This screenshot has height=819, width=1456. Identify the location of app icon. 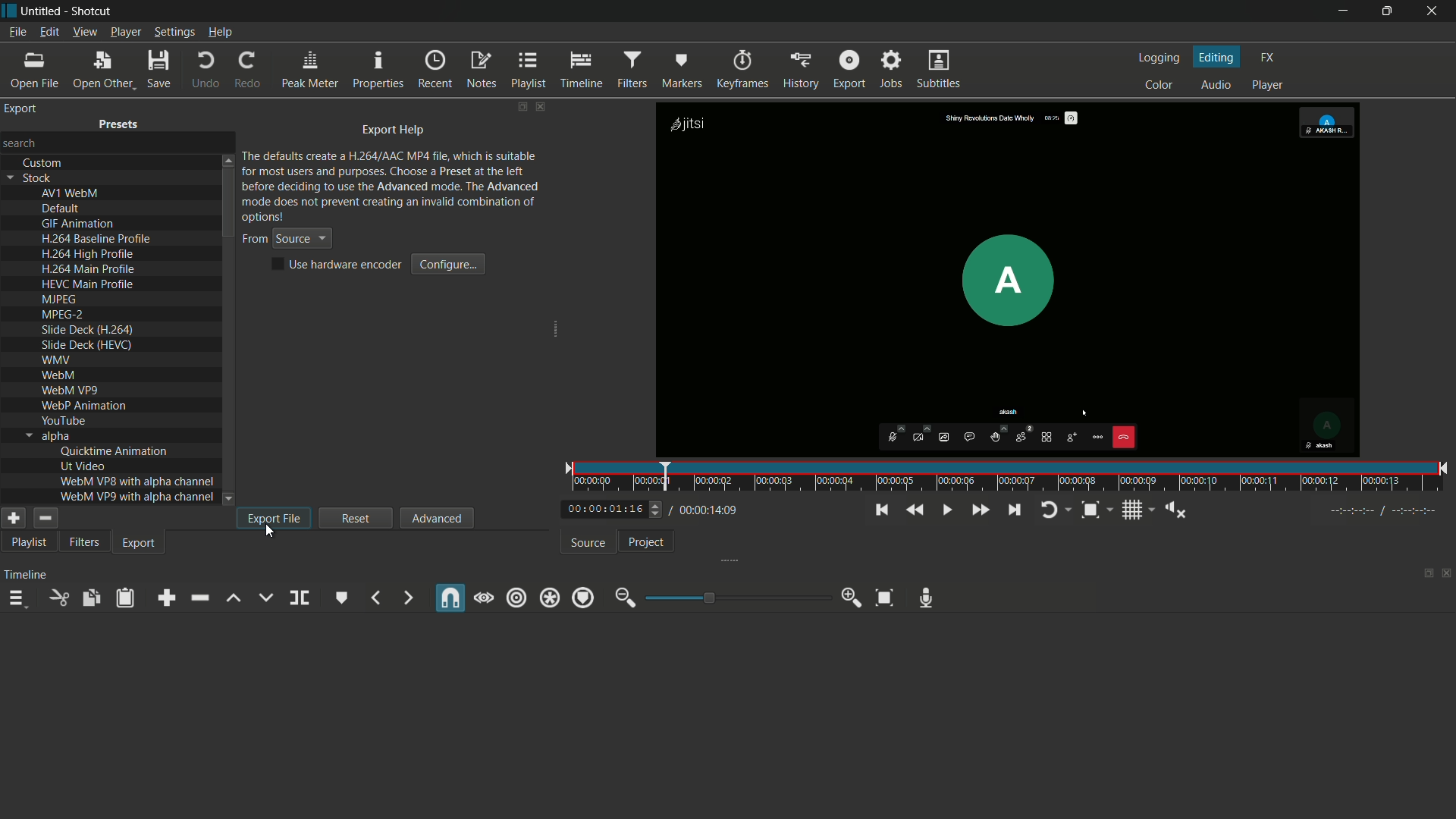
(9, 9).